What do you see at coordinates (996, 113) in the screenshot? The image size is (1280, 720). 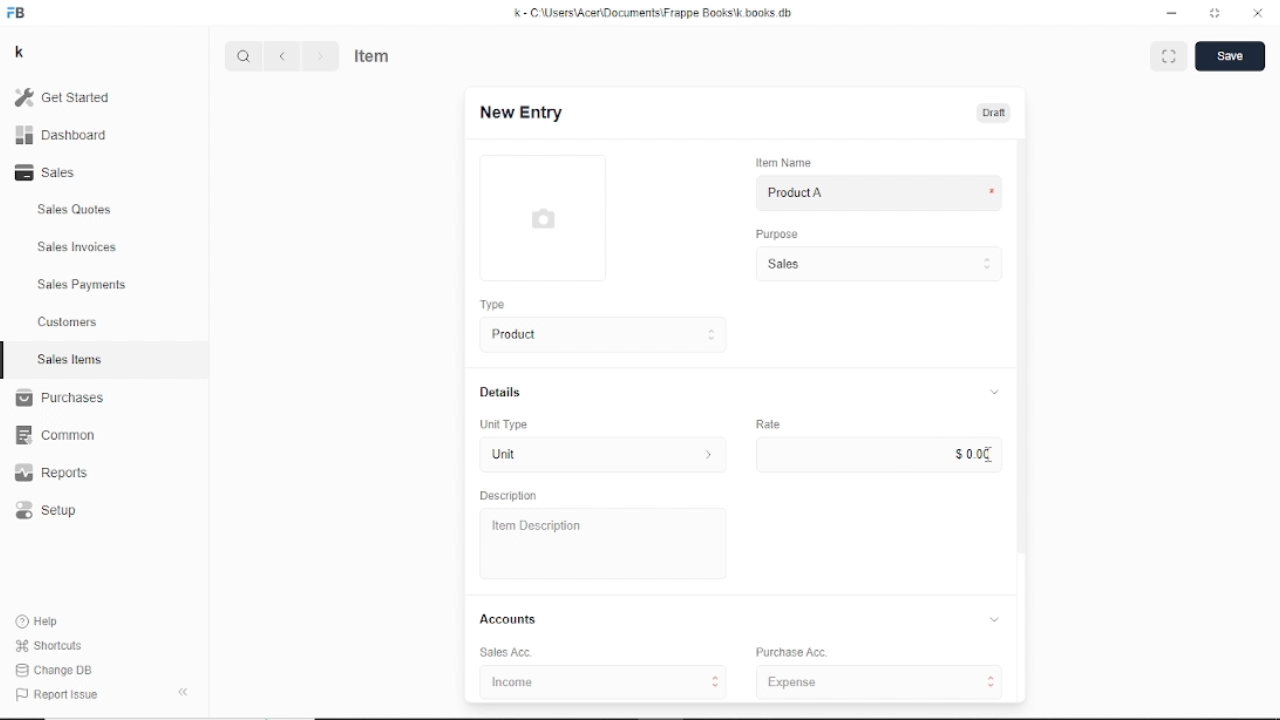 I see `Draft` at bounding box center [996, 113].